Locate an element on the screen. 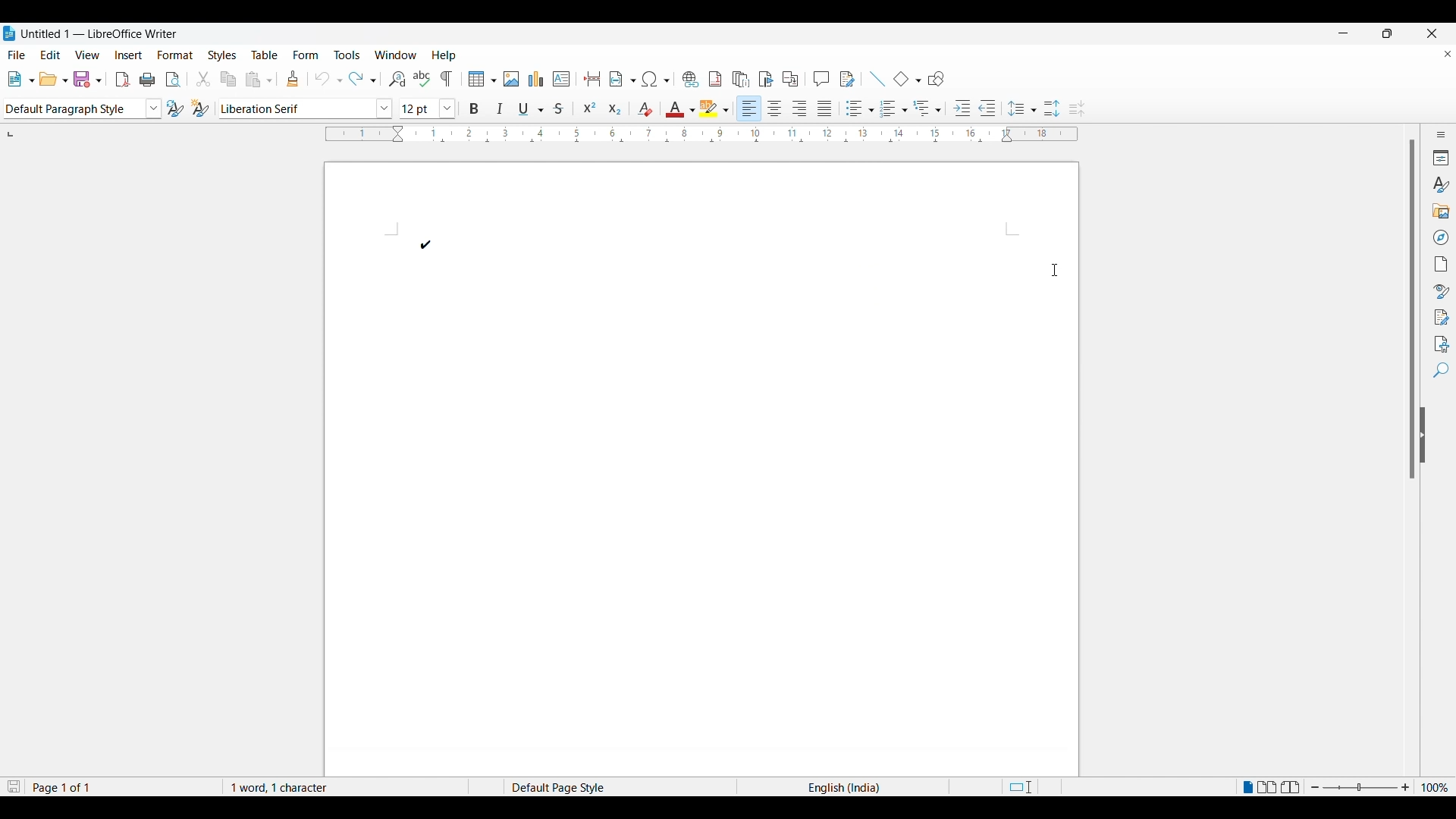 The height and width of the screenshot is (819, 1456). Gallery is located at coordinates (1442, 210).